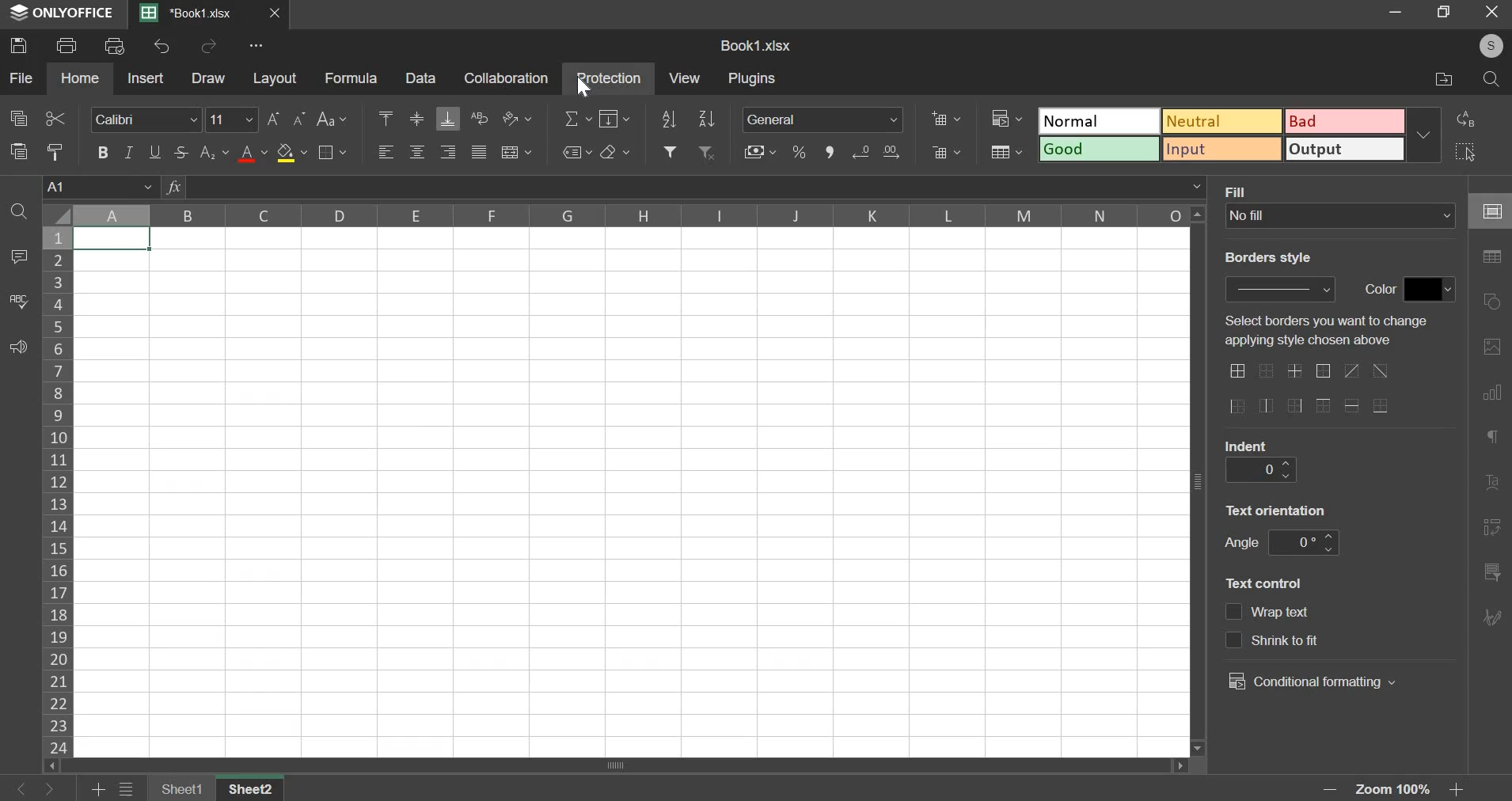 This screenshot has width=1512, height=801. Describe the element at coordinates (1296, 371) in the screenshot. I see `border options` at that location.